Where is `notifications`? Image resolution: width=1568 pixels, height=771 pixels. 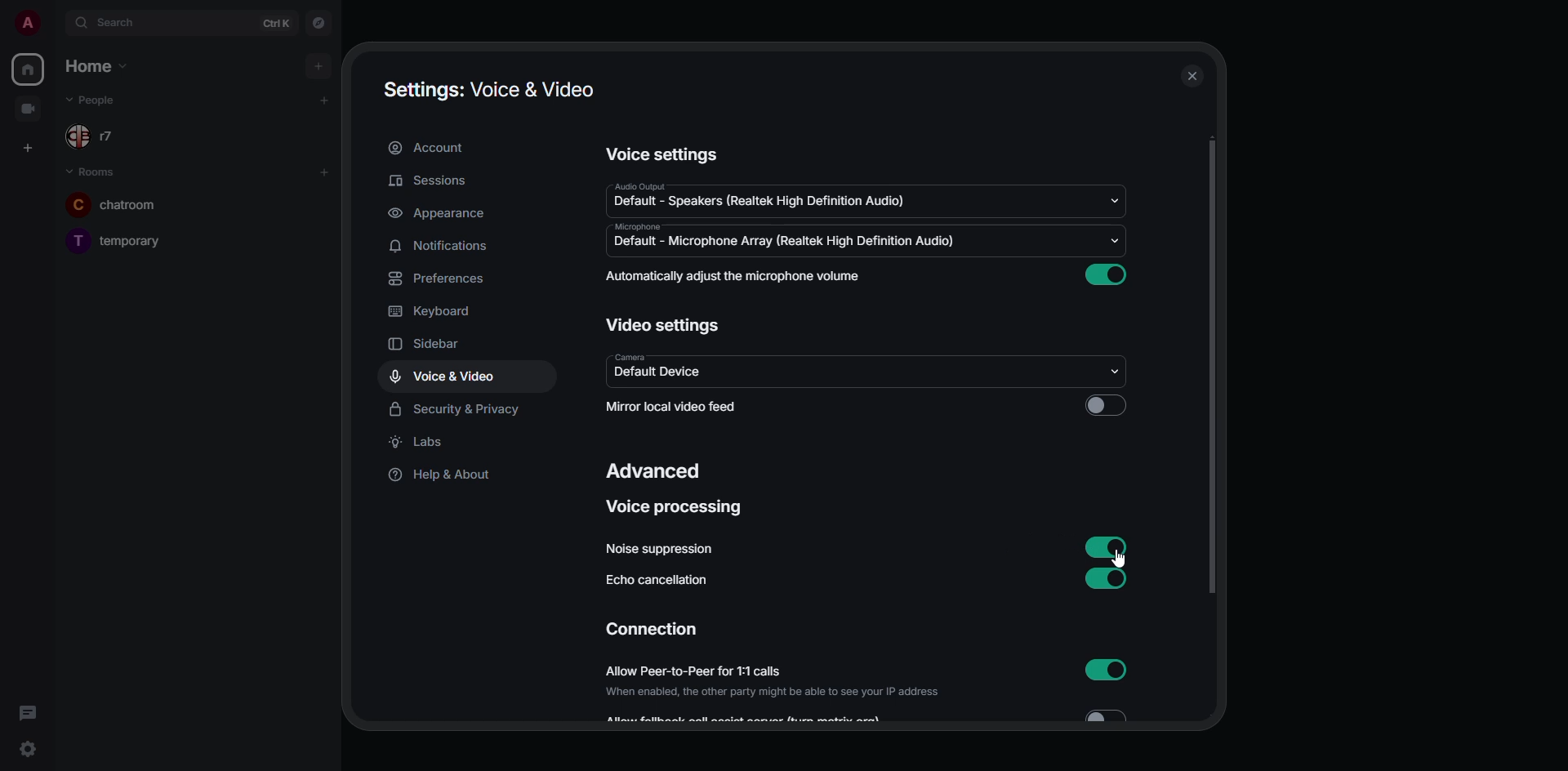
notifications is located at coordinates (447, 244).